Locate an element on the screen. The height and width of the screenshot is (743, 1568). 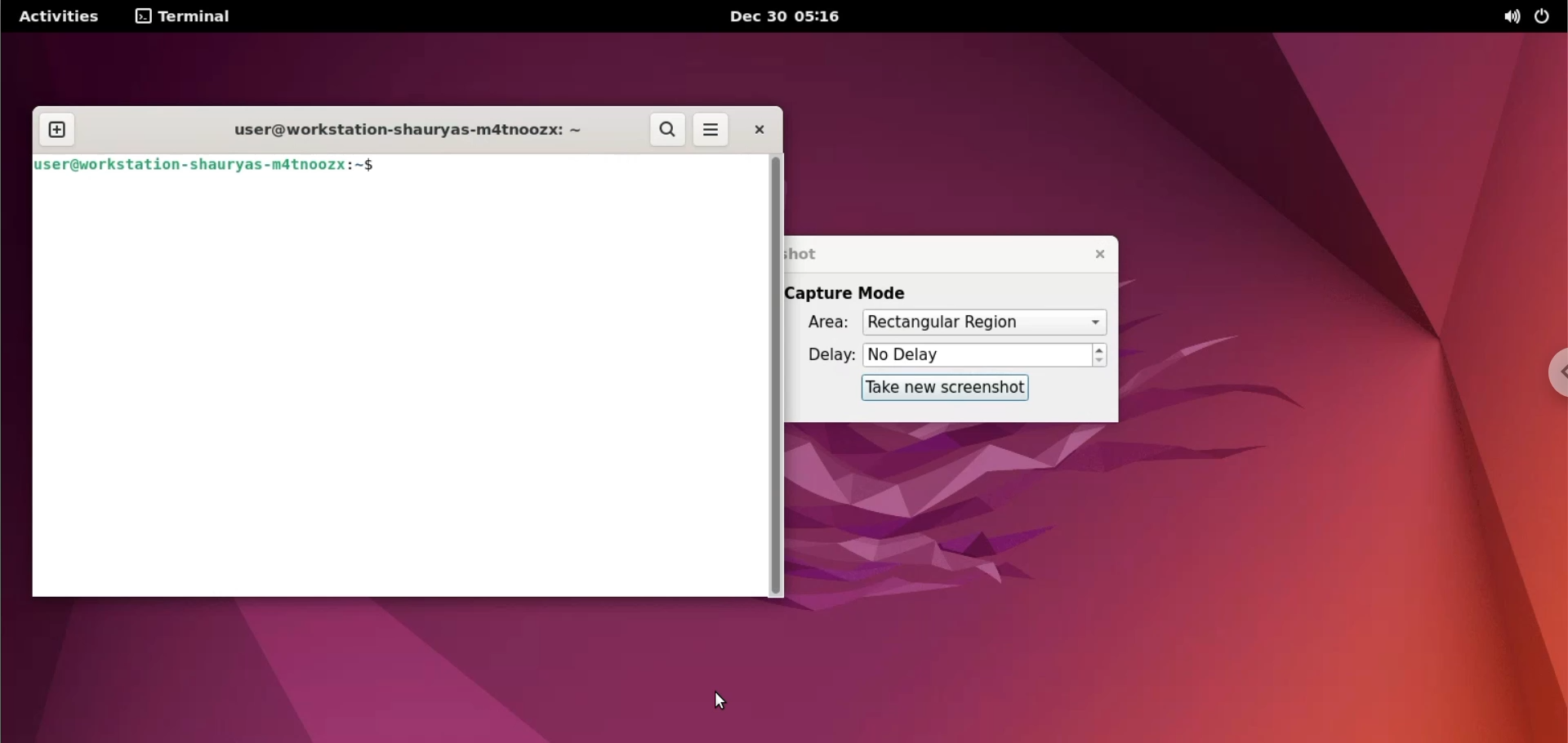
scrollbar is located at coordinates (780, 376).